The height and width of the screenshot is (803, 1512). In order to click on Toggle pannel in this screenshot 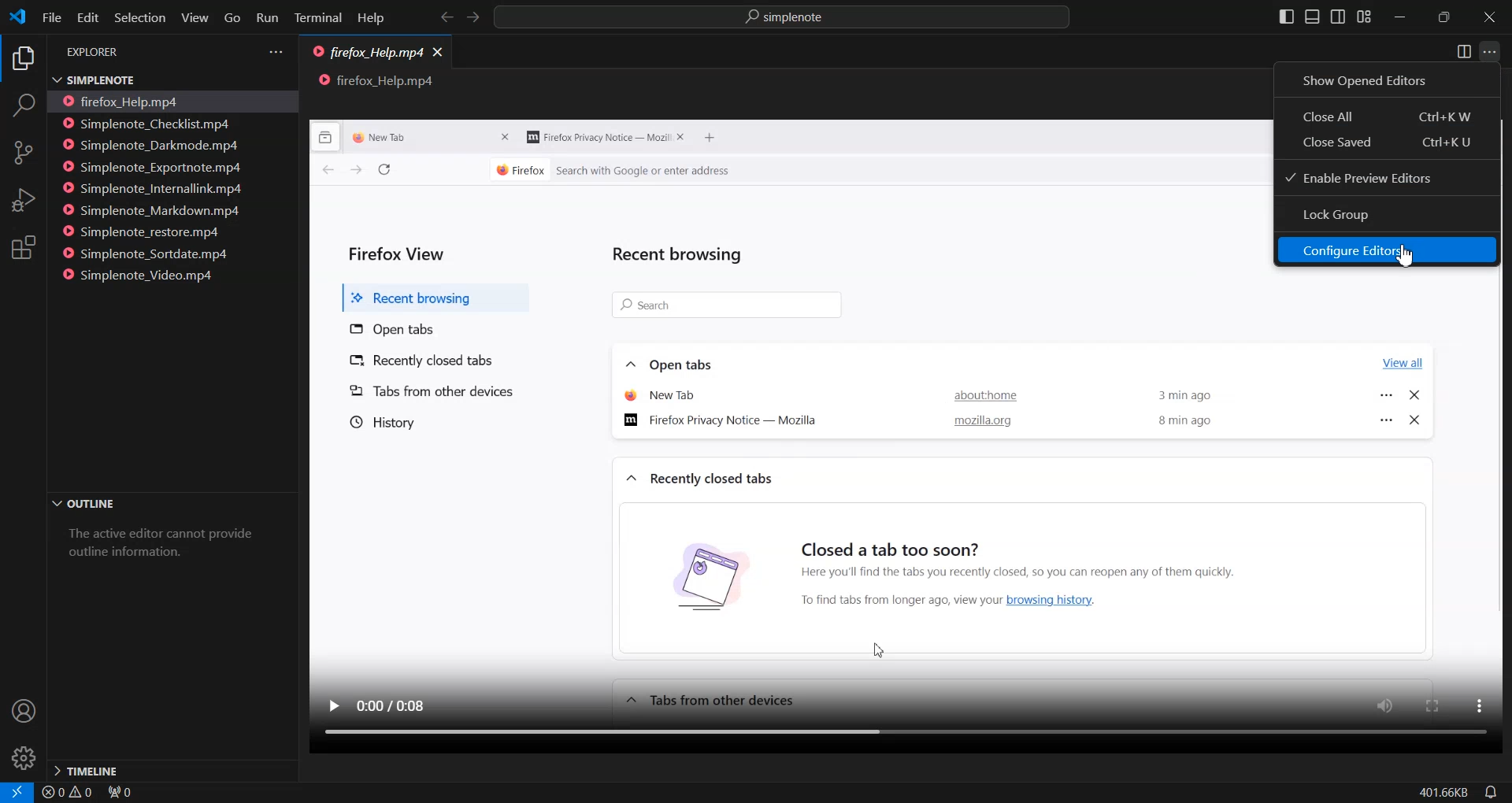, I will do `click(1312, 17)`.